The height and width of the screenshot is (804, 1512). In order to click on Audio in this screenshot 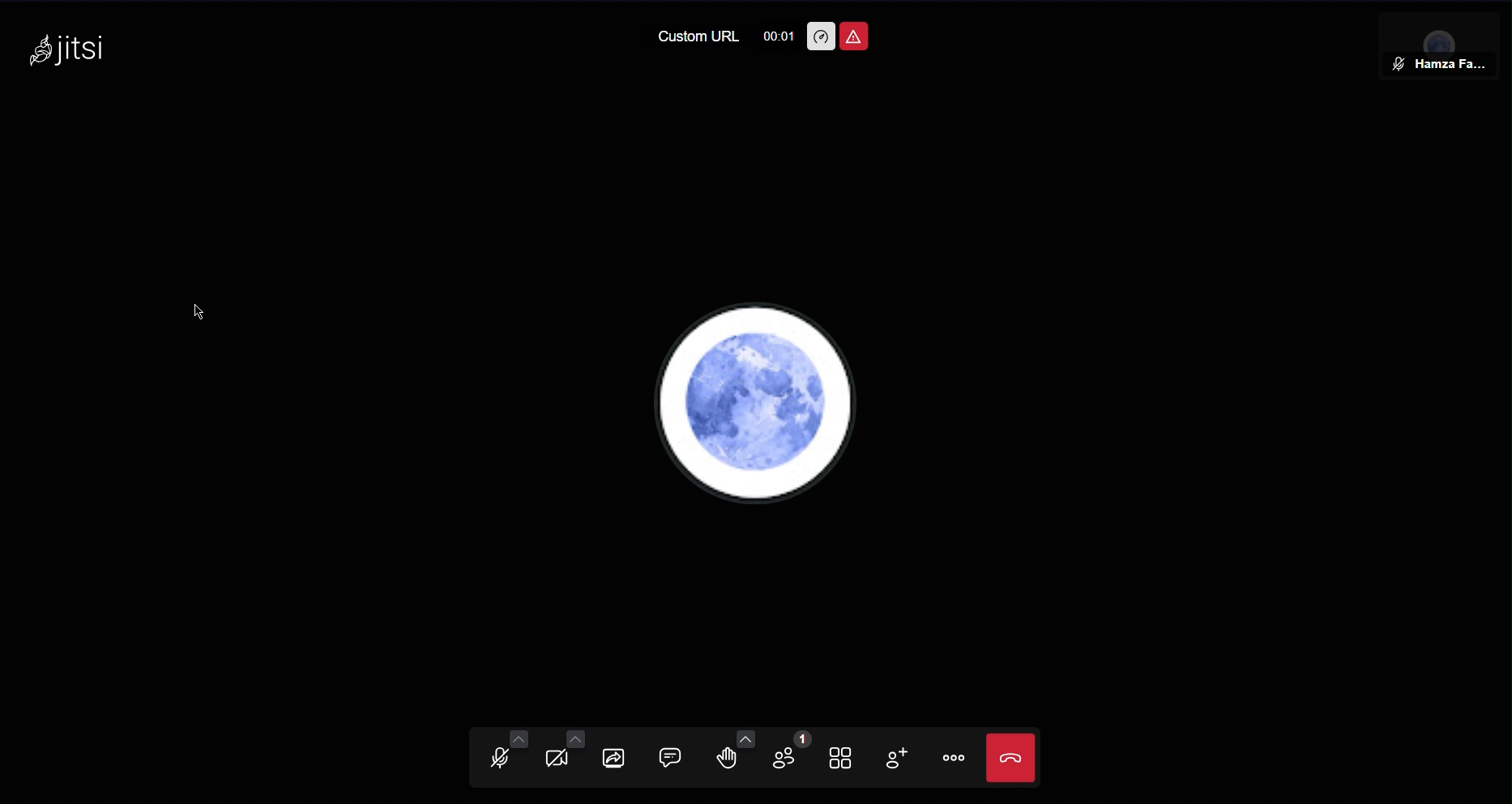, I will do `click(500, 761)`.